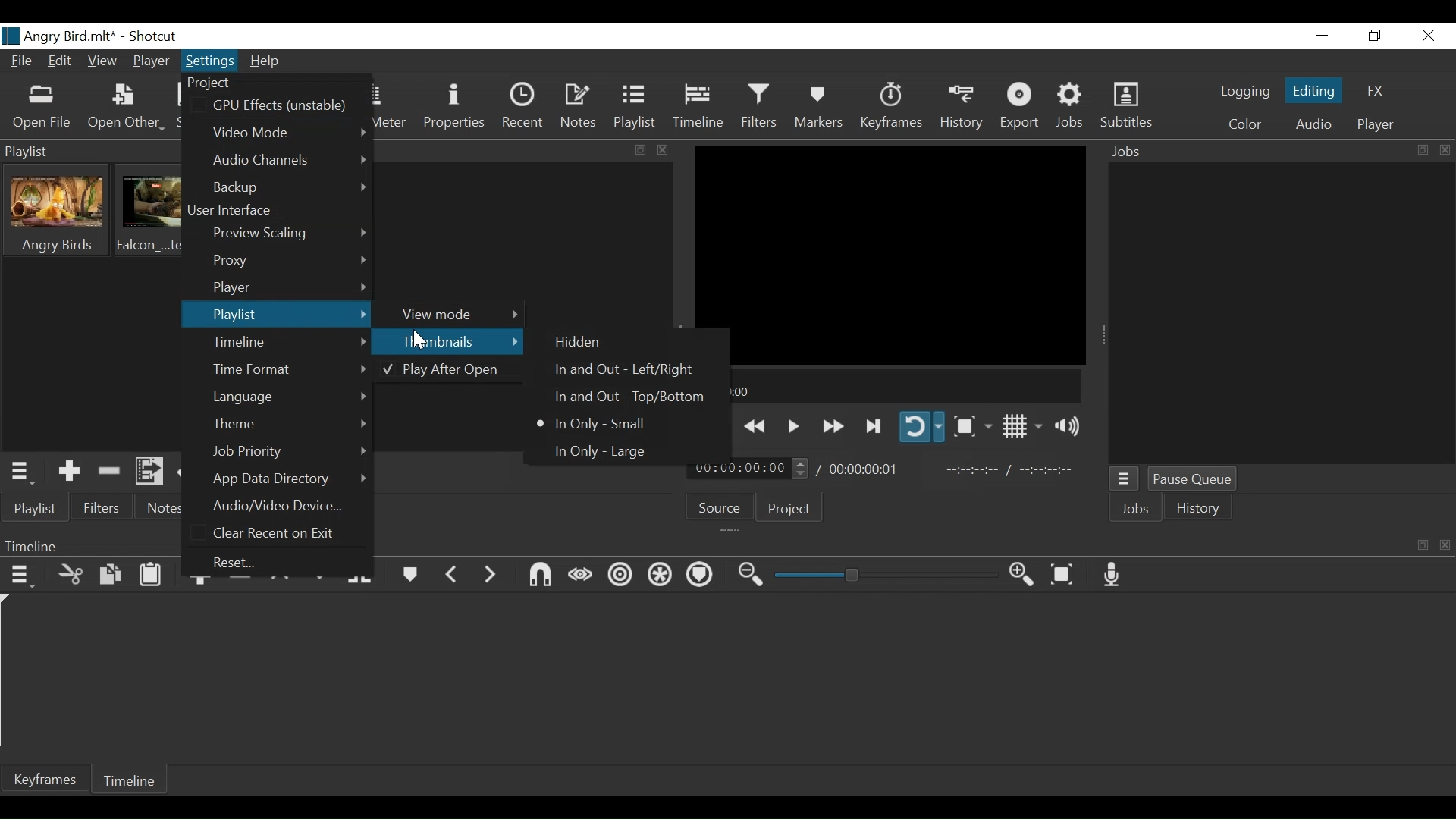 Image resolution: width=1456 pixels, height=819 pixels. What do you see at coordinates (971, 426) in the screenshot?
I see `Toggle Zoom` at bounding box center [971, 426].